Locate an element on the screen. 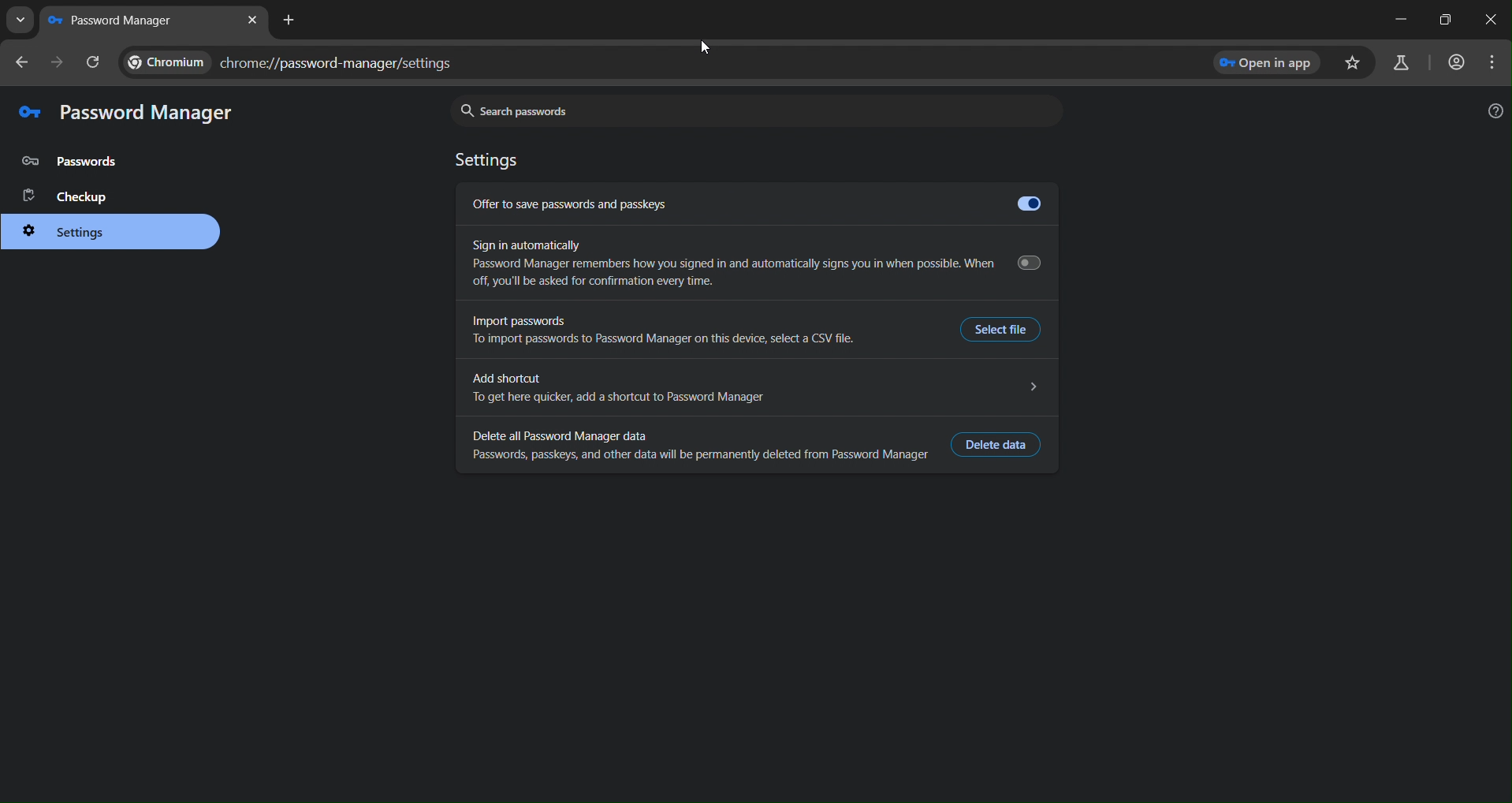 The image size is (1512, 803). bookmark page is located at coordinates (1355, 63).